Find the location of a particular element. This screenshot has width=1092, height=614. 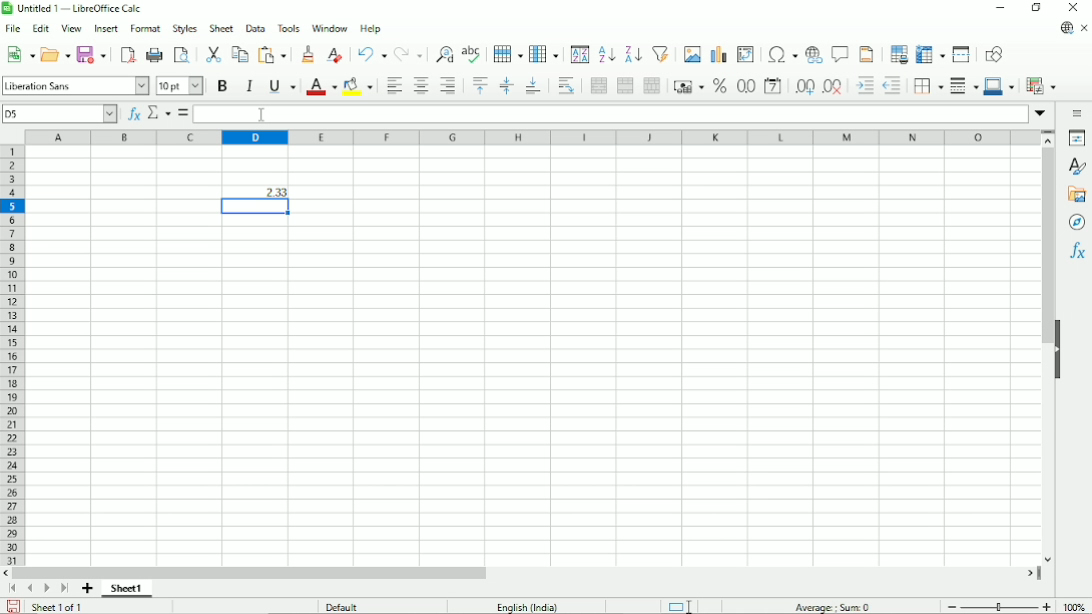

print is located at coordinates (155, 55).